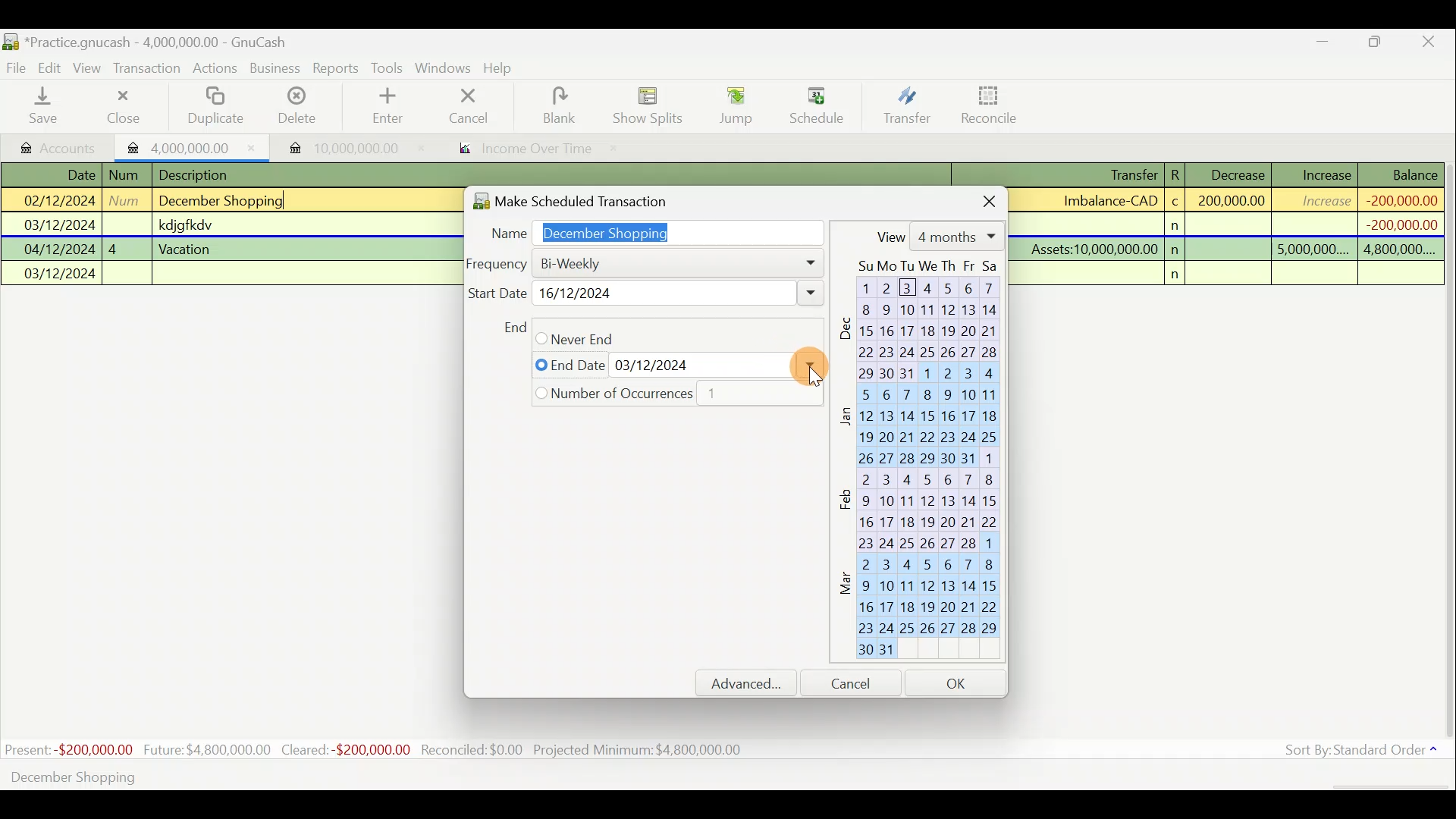 The height and width of the screenshot is (819, 1456). What do you see at coordinates (89, 68) in the screenshot?
I see `View` at bounding box center [89, 68].